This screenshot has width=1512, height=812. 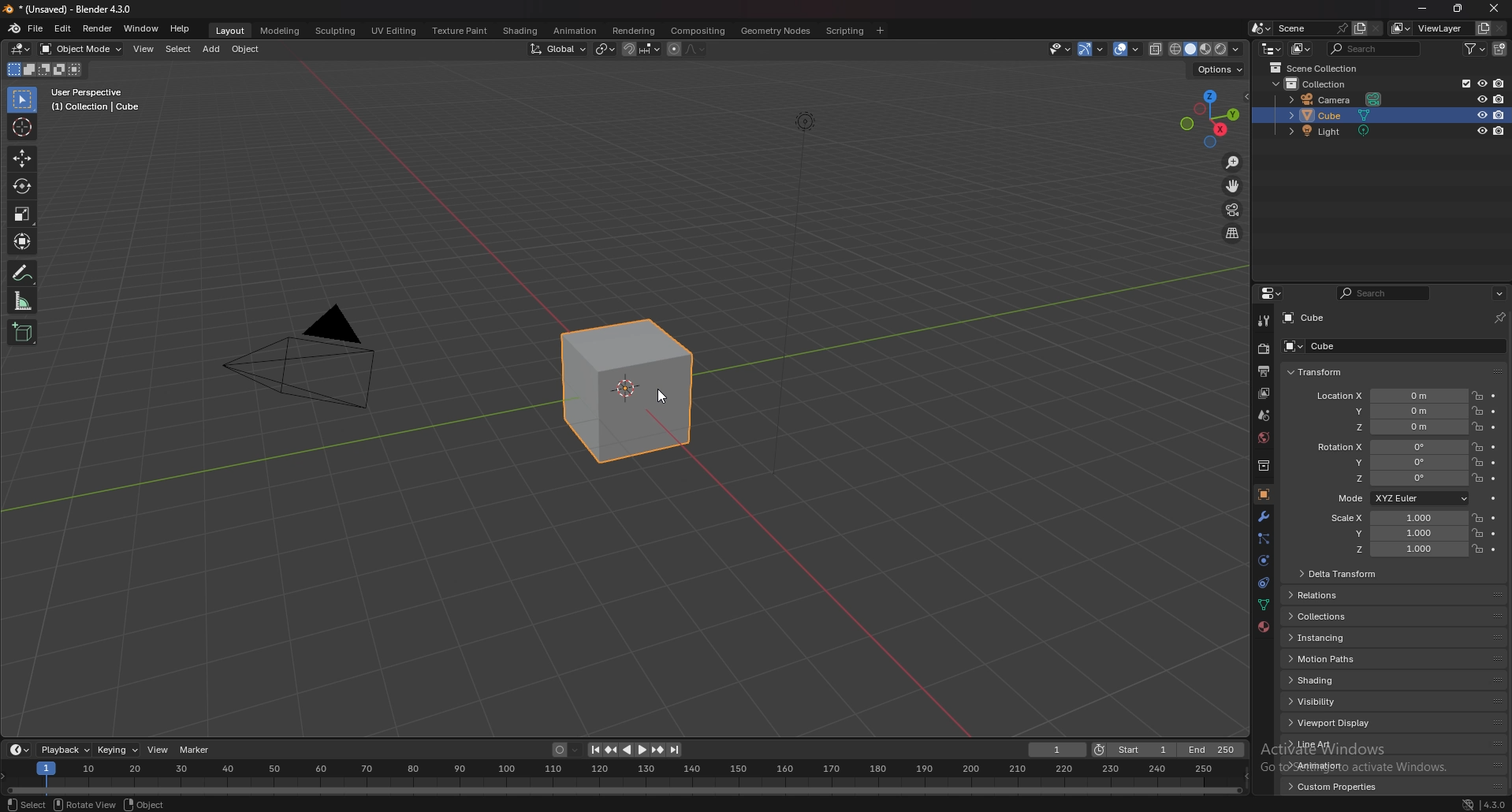 What do you see at coordinates (1264, 348) in the screenshot?
I see `render` at bounding box center [1264, 348].